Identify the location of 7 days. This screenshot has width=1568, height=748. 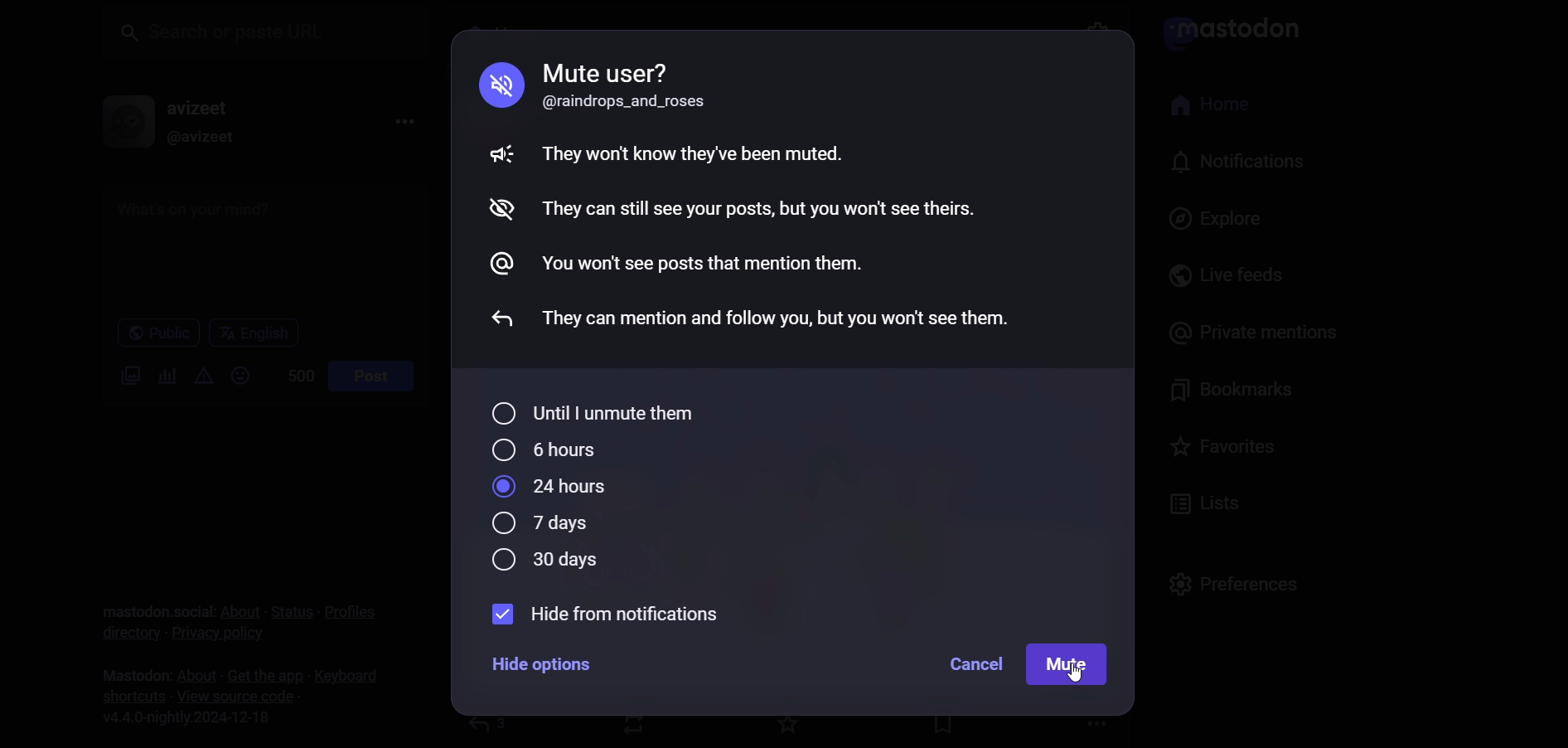
(541, 525).